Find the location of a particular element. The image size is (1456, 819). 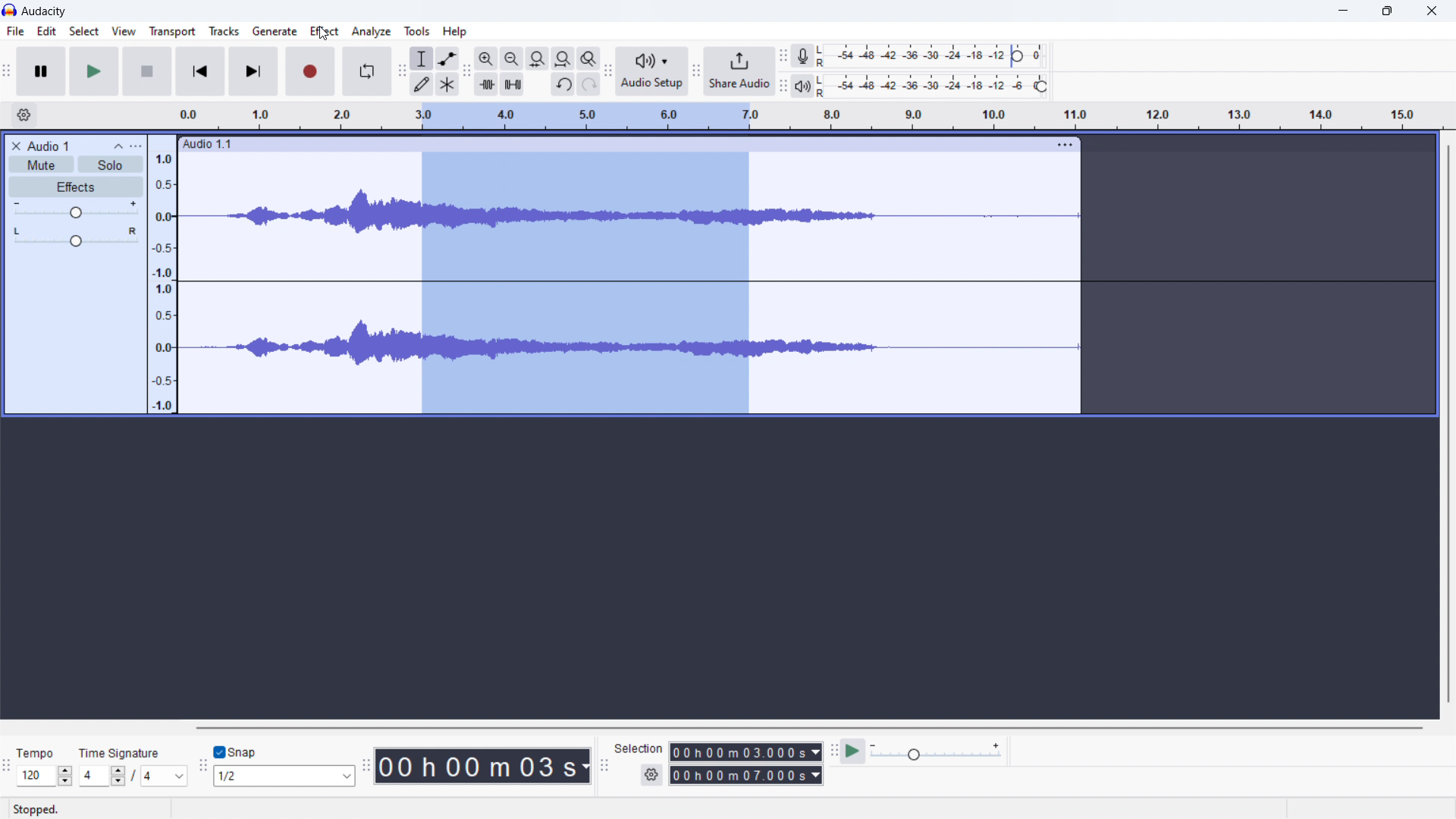

play is located at coordinates (95, 71).